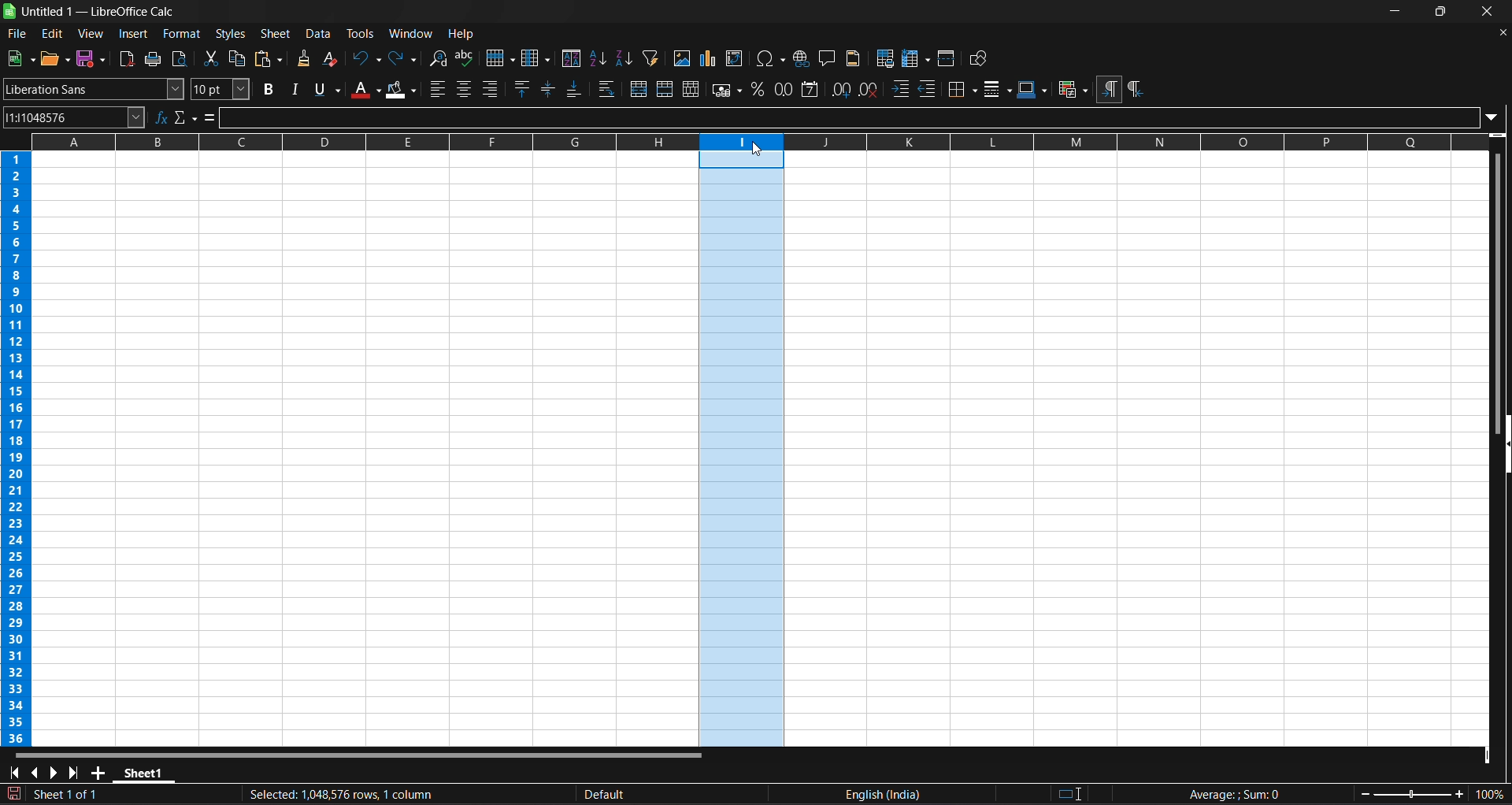 This screenshot has width=1512, height=805. I want to click on minimize, so click(1395, 13).